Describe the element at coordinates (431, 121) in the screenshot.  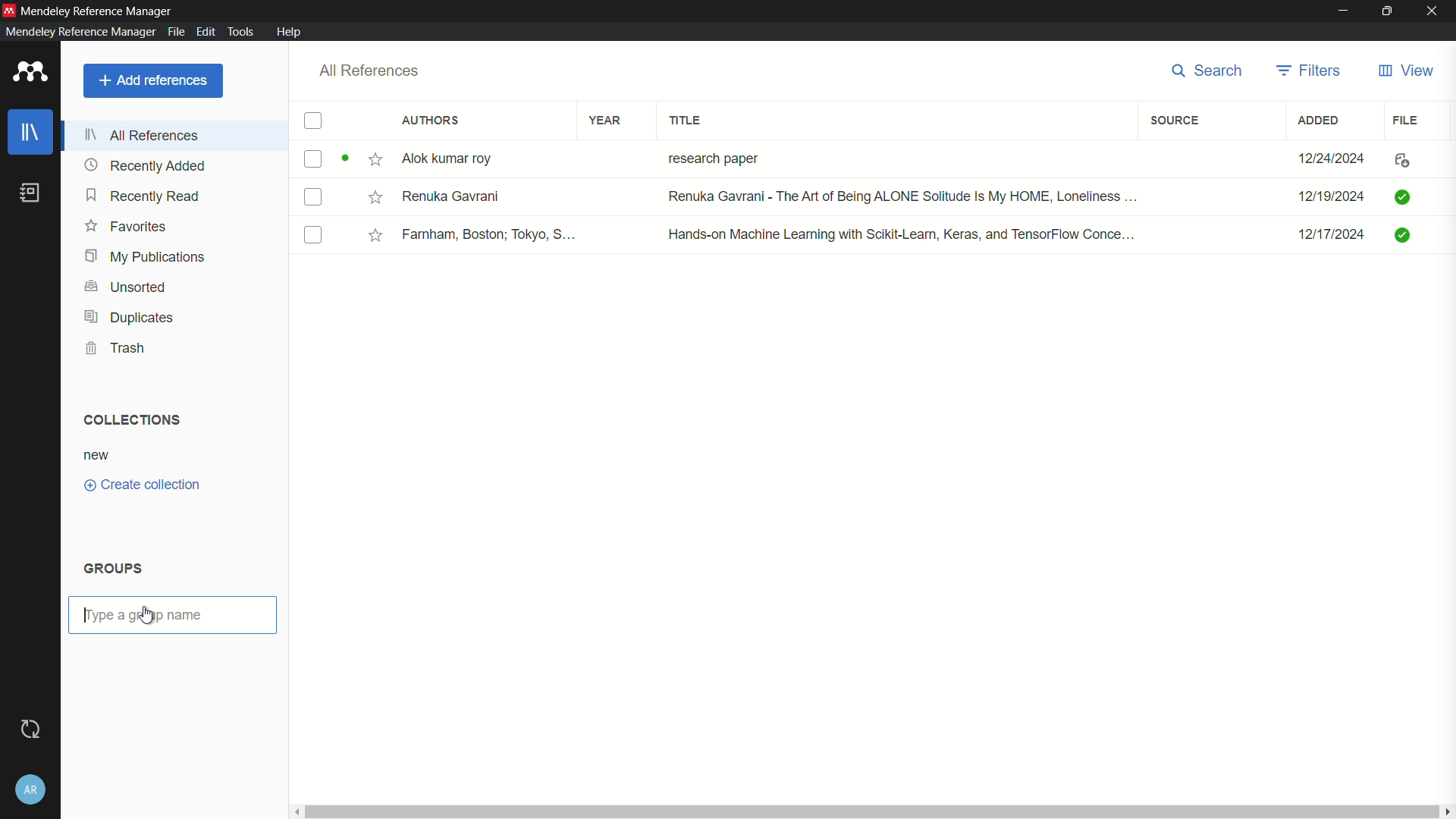
I see `authors` at that location.